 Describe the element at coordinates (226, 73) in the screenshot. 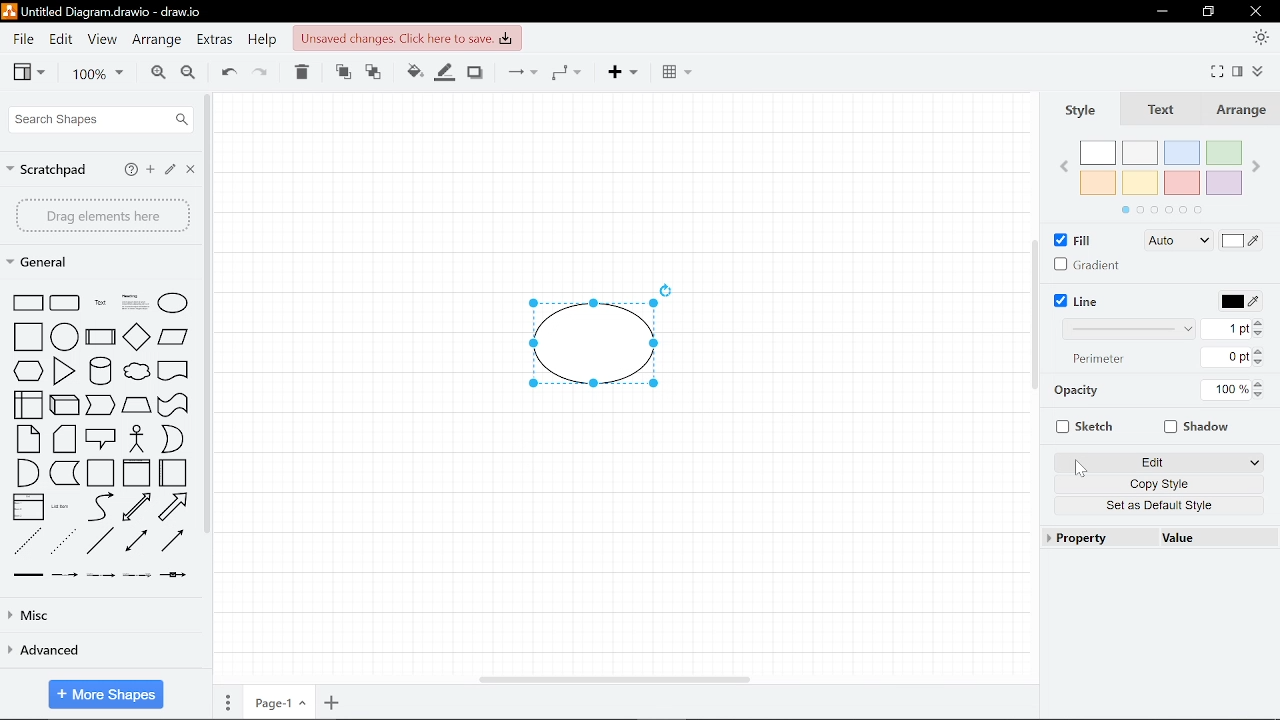

I see `Undo` at that location.